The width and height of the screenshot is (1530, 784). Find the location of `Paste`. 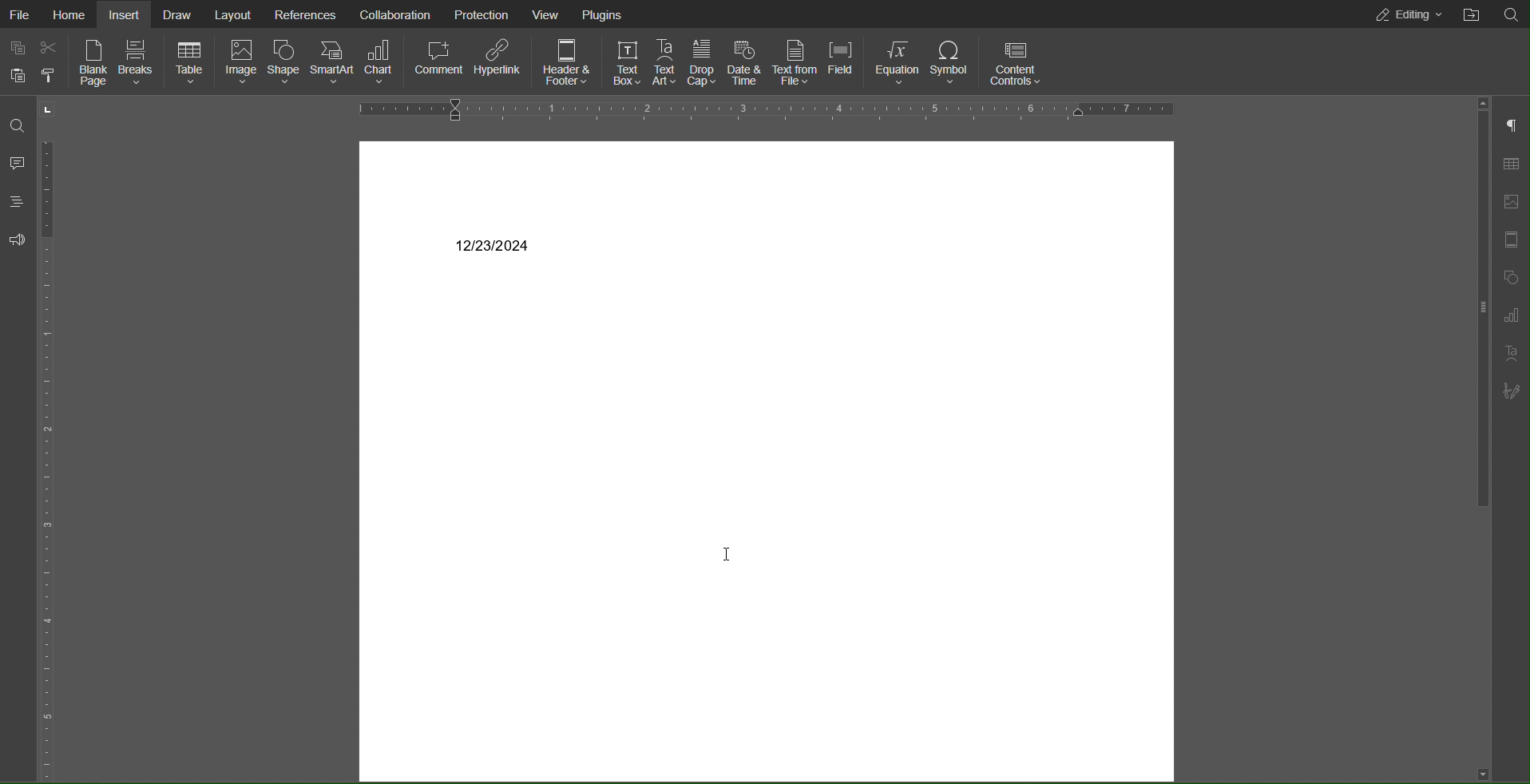

Paste is located at coordinates (18, 78).